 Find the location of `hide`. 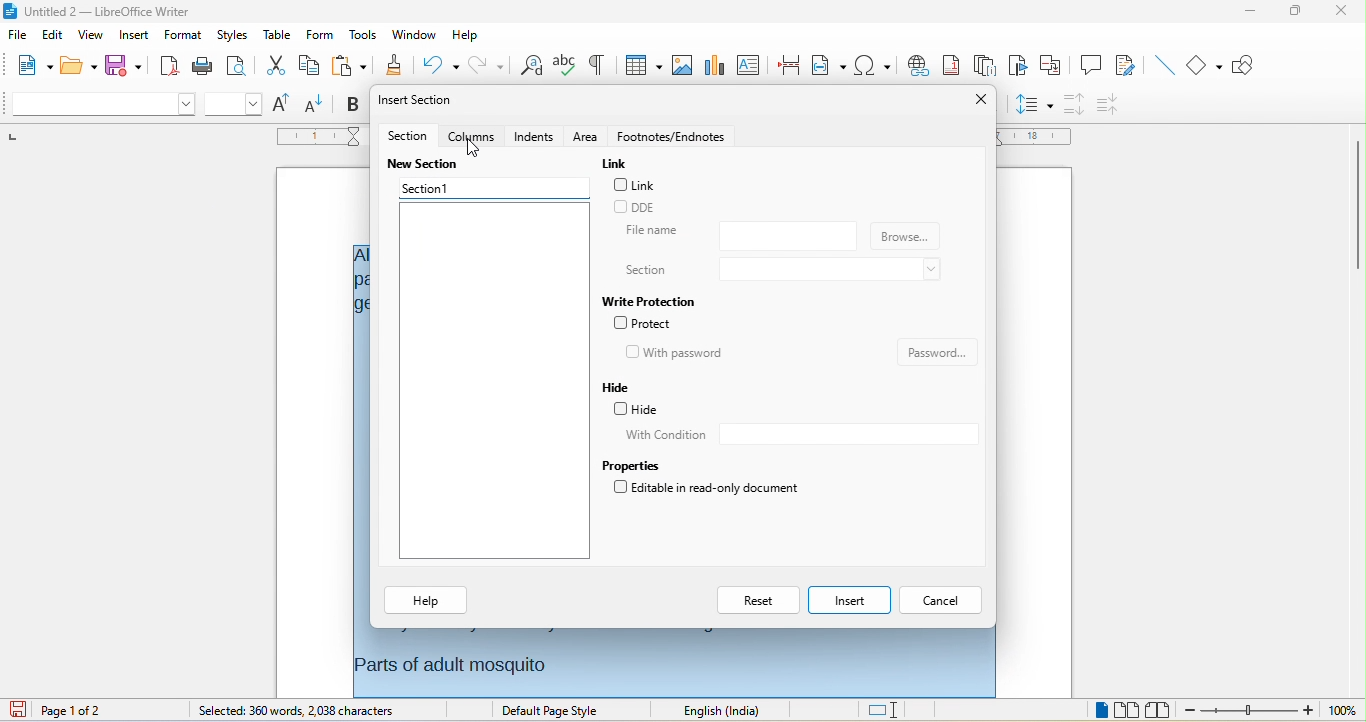

hide is located at coordinates (614, 386).